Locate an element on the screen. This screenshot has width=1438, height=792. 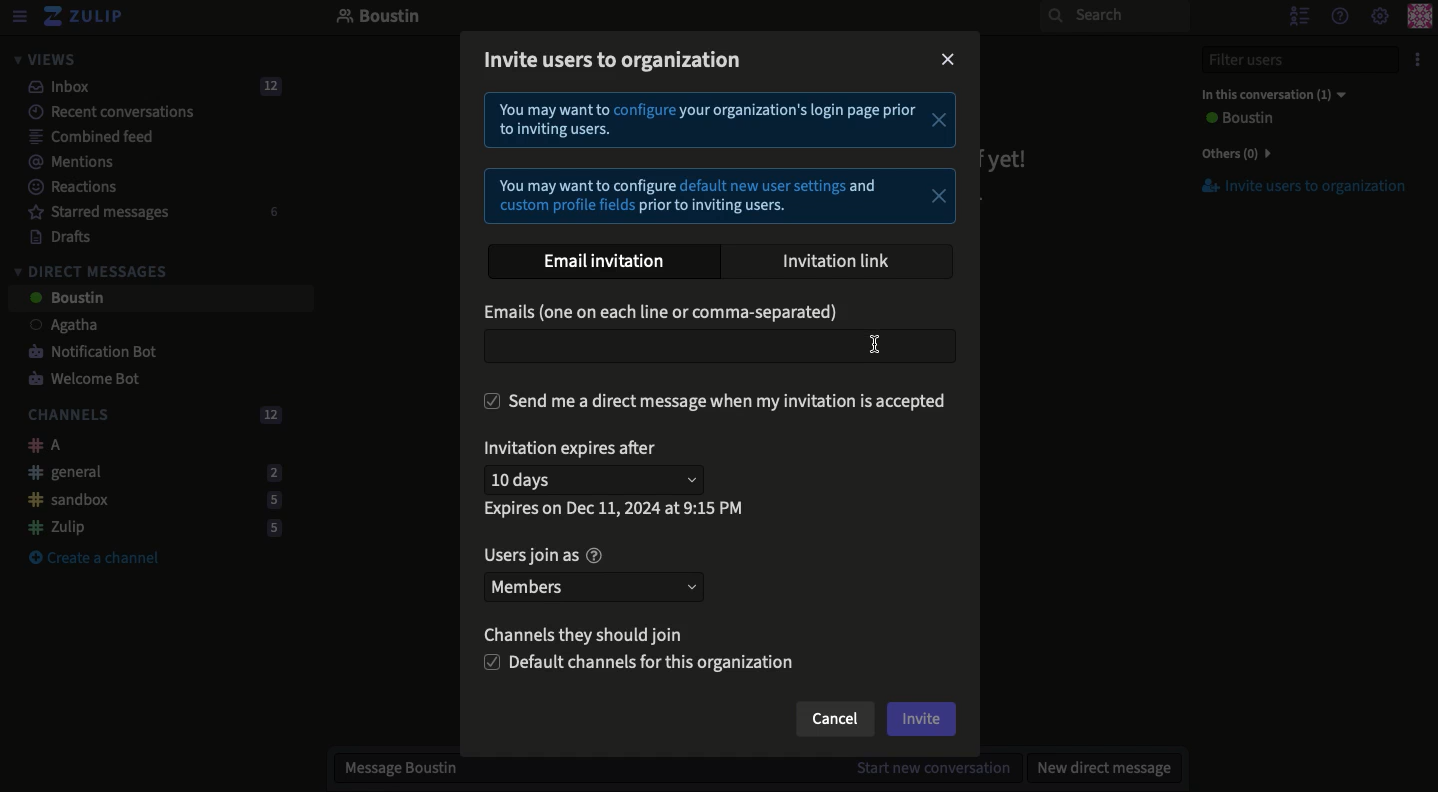
In this conversation is located at coordinates (1269, 94).